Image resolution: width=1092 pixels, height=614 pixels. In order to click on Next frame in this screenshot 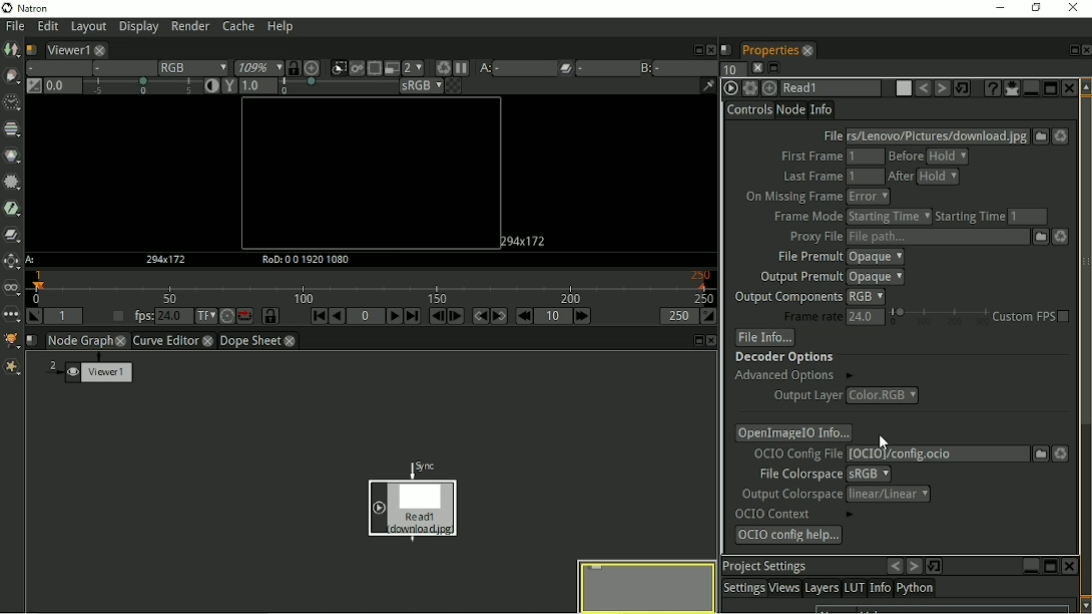, I will do `click(456, 316)`.